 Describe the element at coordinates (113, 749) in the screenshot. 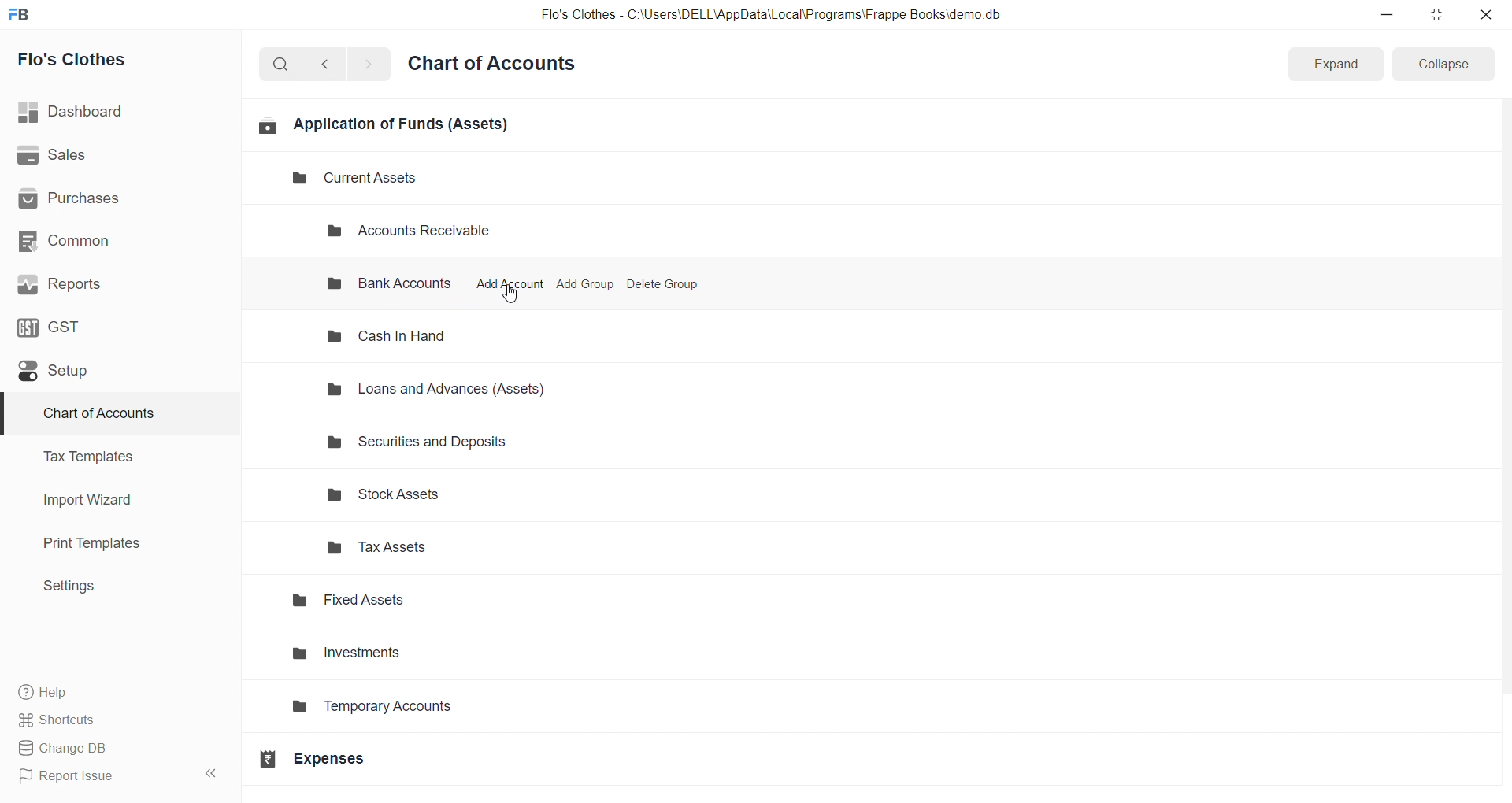

I see `Change DB` at that location.